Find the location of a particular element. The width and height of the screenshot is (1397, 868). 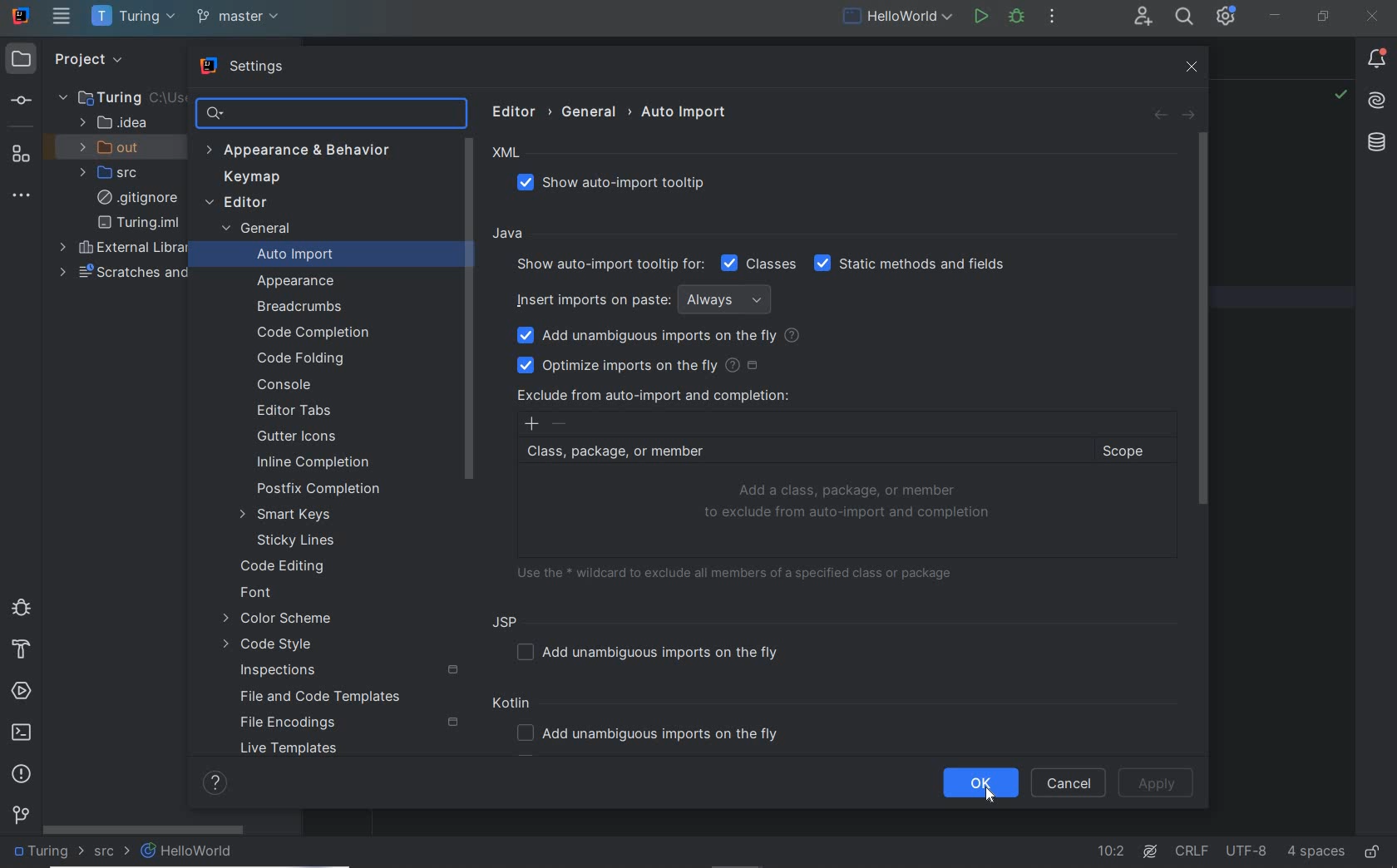

project is located at coordinates (85, 58).